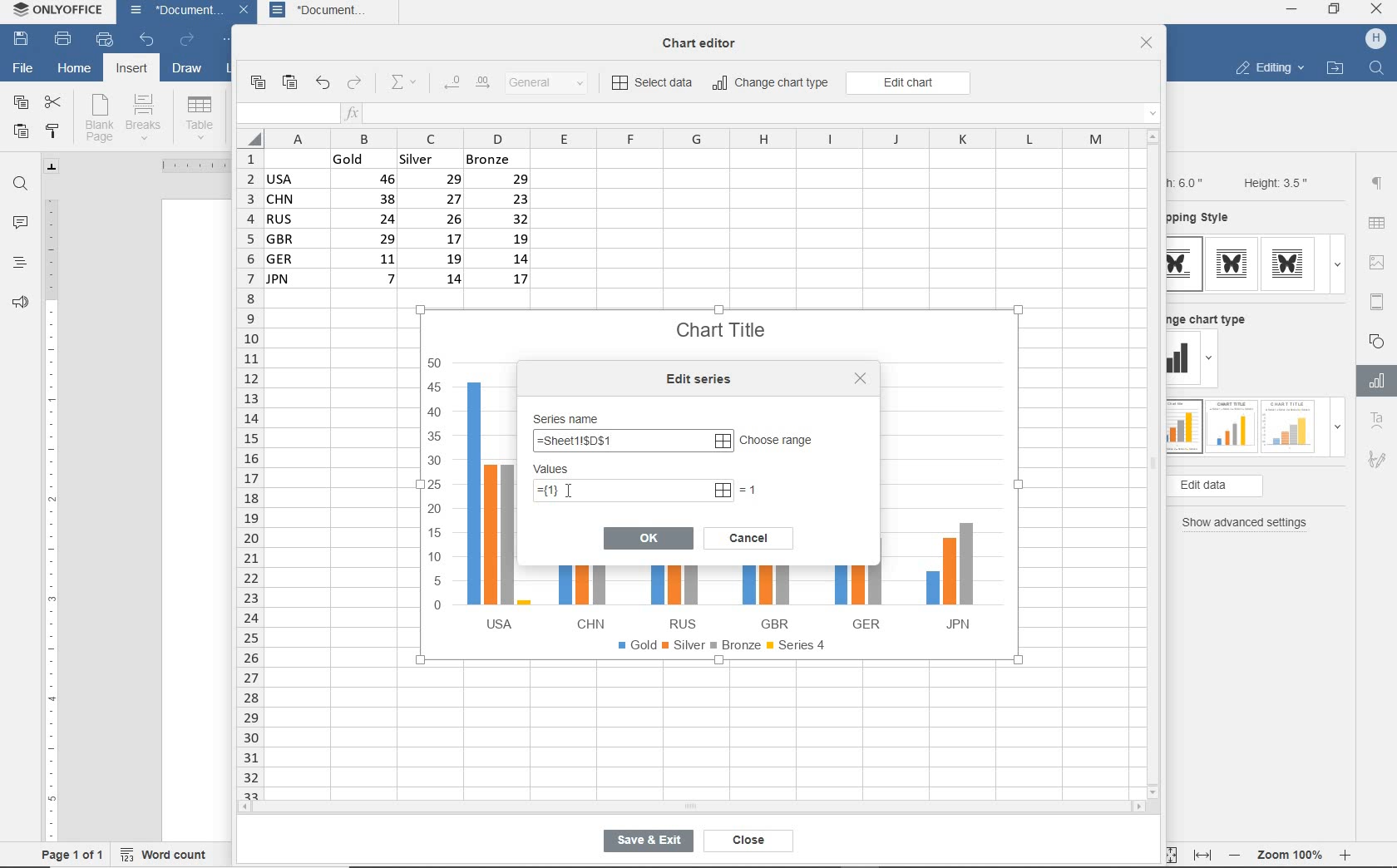 The image size is (1397, 868). Describe the element at coordinates (99, 118) in the screenshot. I see `blank page` at that location.